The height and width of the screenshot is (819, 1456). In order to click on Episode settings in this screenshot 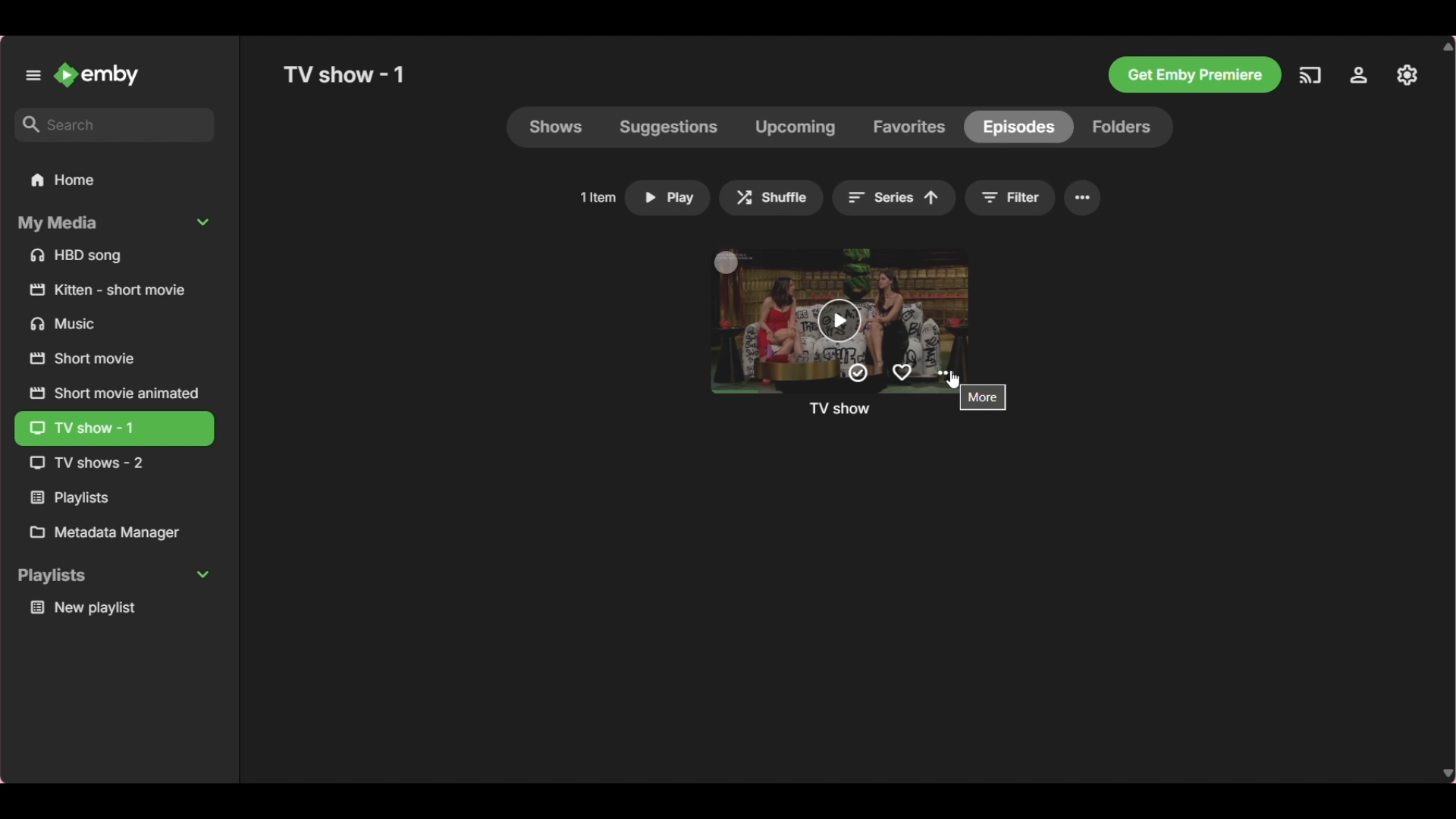, I will do `click(945, 372)`.